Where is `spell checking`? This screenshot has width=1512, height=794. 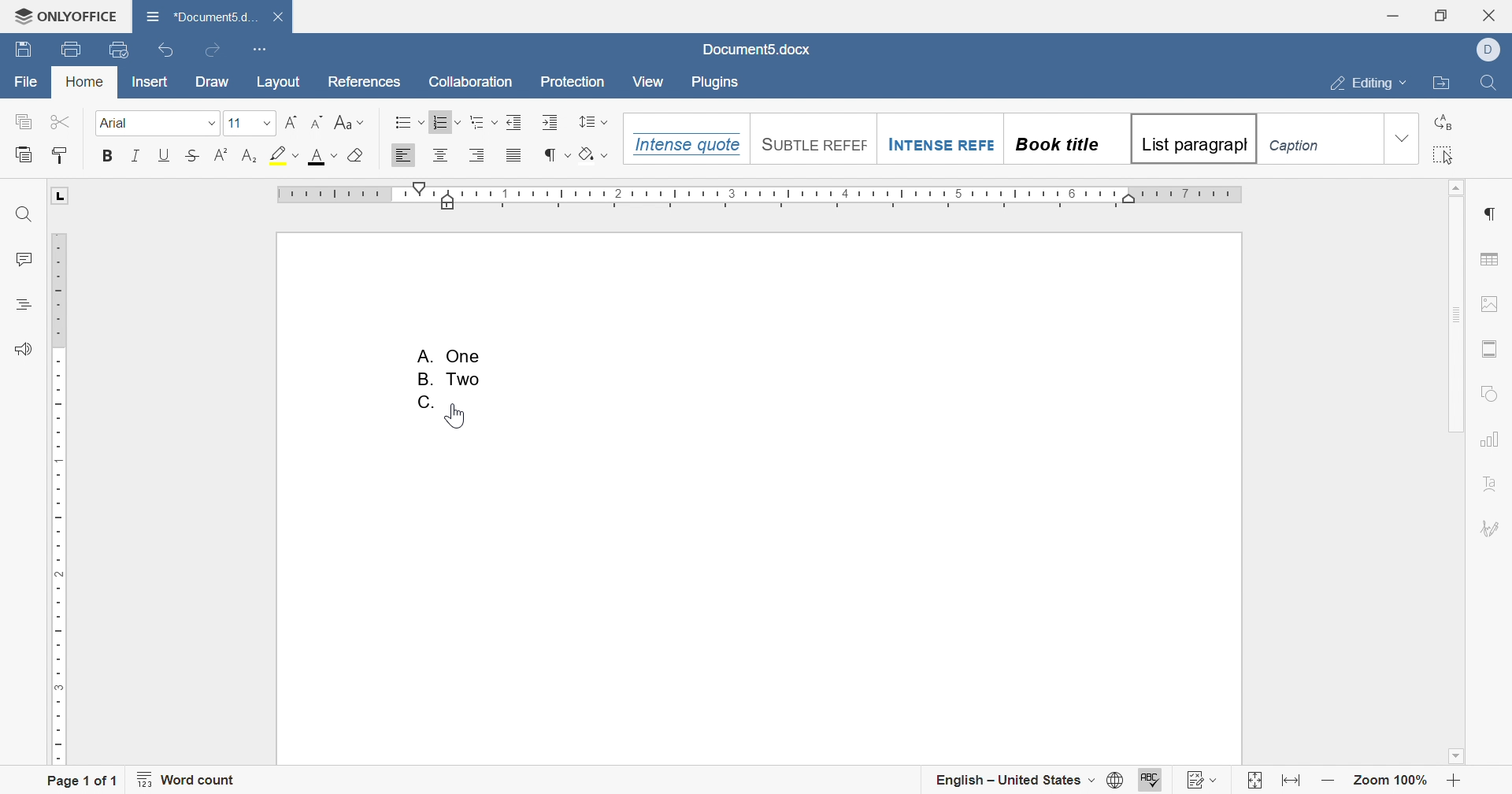 spell checking is located at coordinates (1152, 781).